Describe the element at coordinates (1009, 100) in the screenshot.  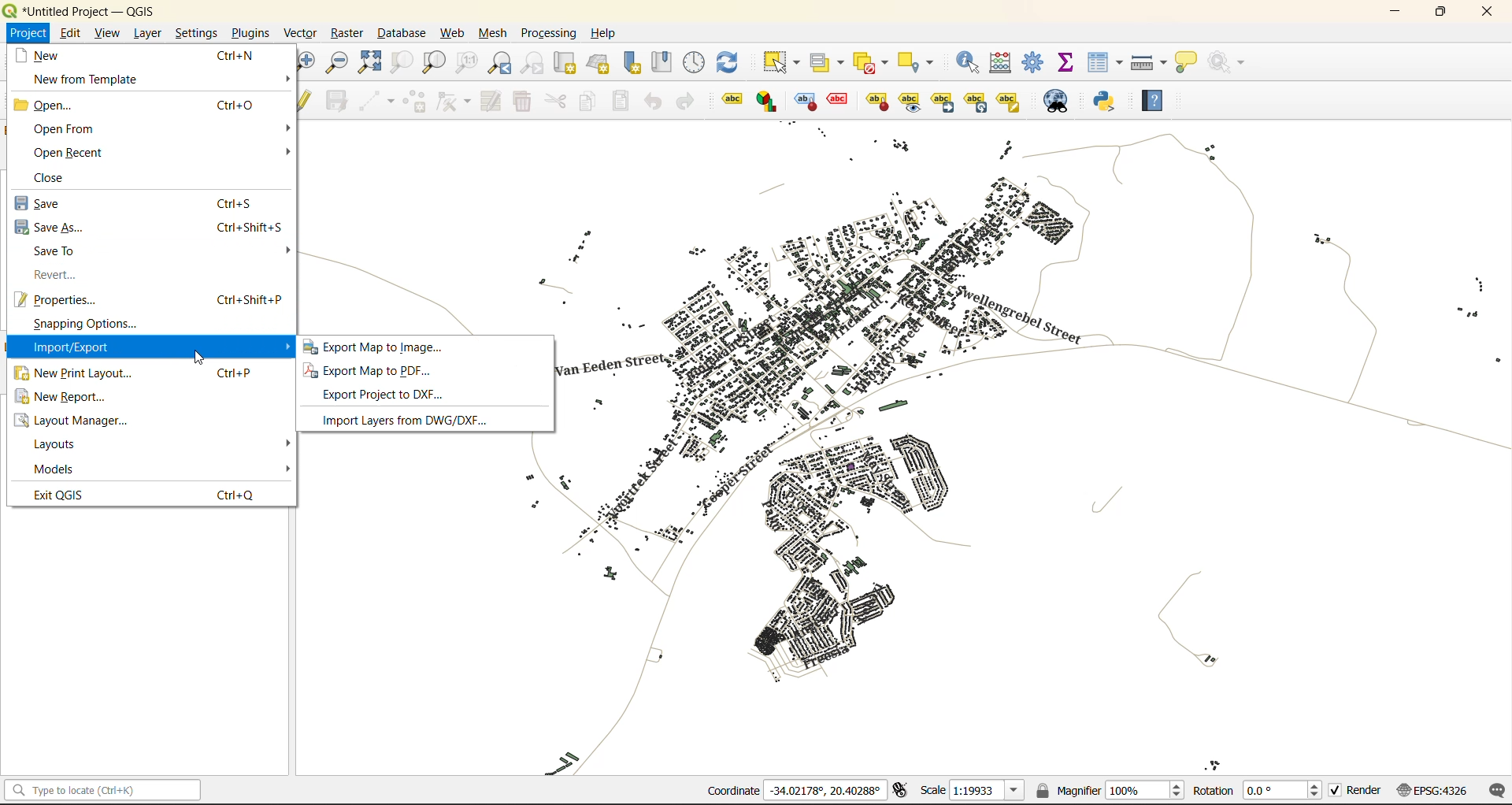
I see `Change label properties` at that location.